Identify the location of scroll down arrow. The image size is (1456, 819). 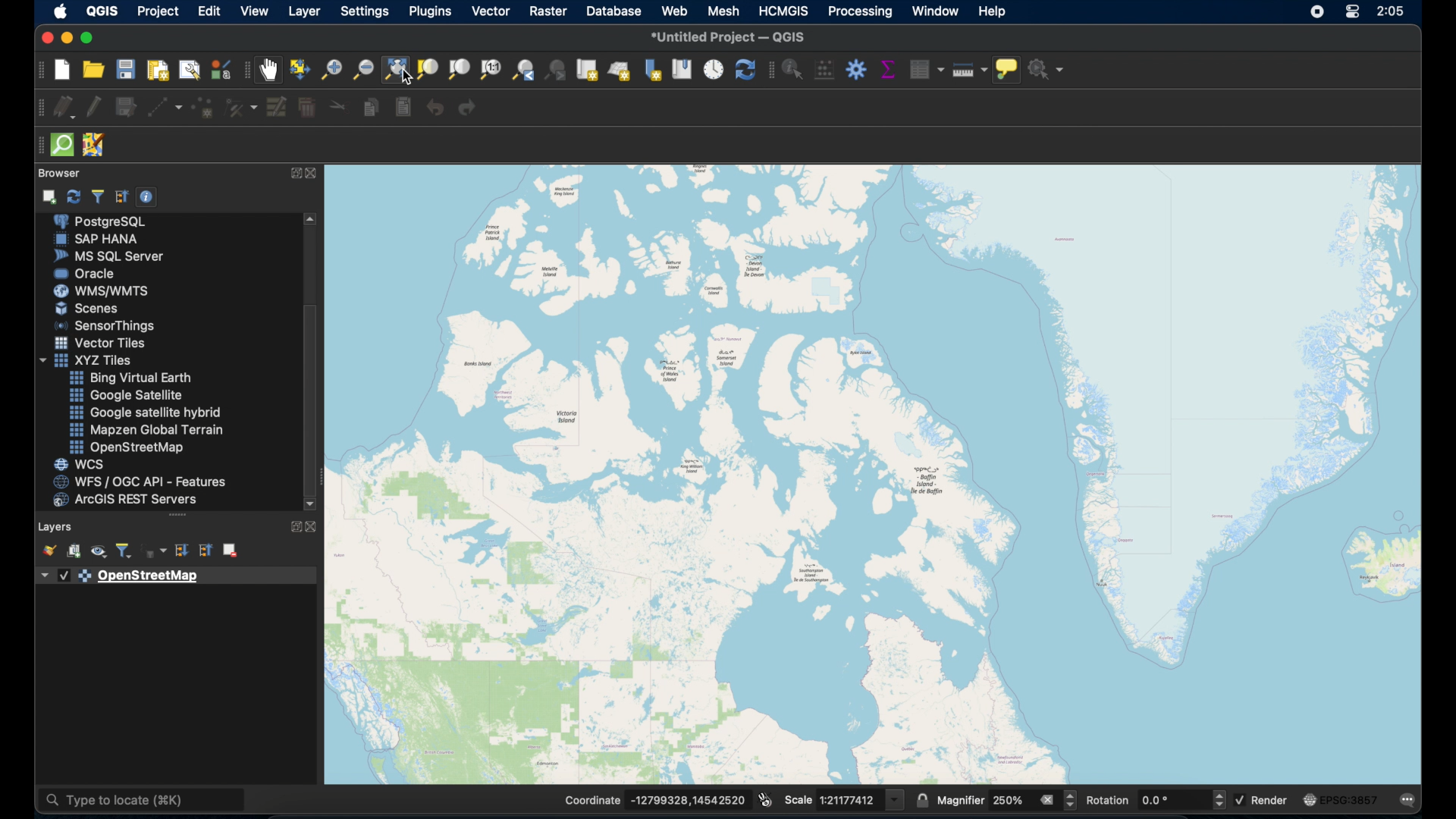
(312, 506).